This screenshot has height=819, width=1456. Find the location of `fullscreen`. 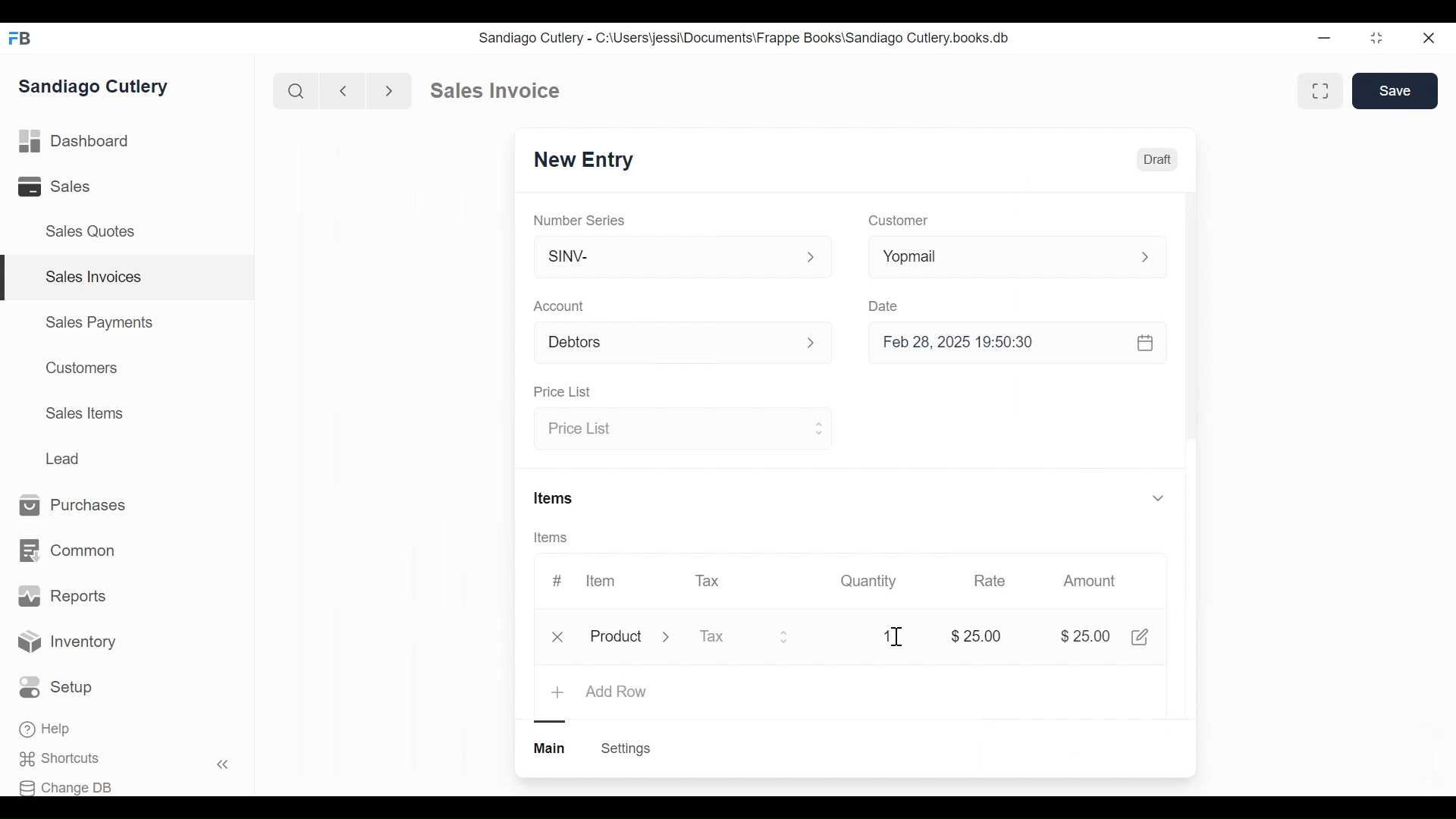

fullscreen is located at coordinates (1323, 90).